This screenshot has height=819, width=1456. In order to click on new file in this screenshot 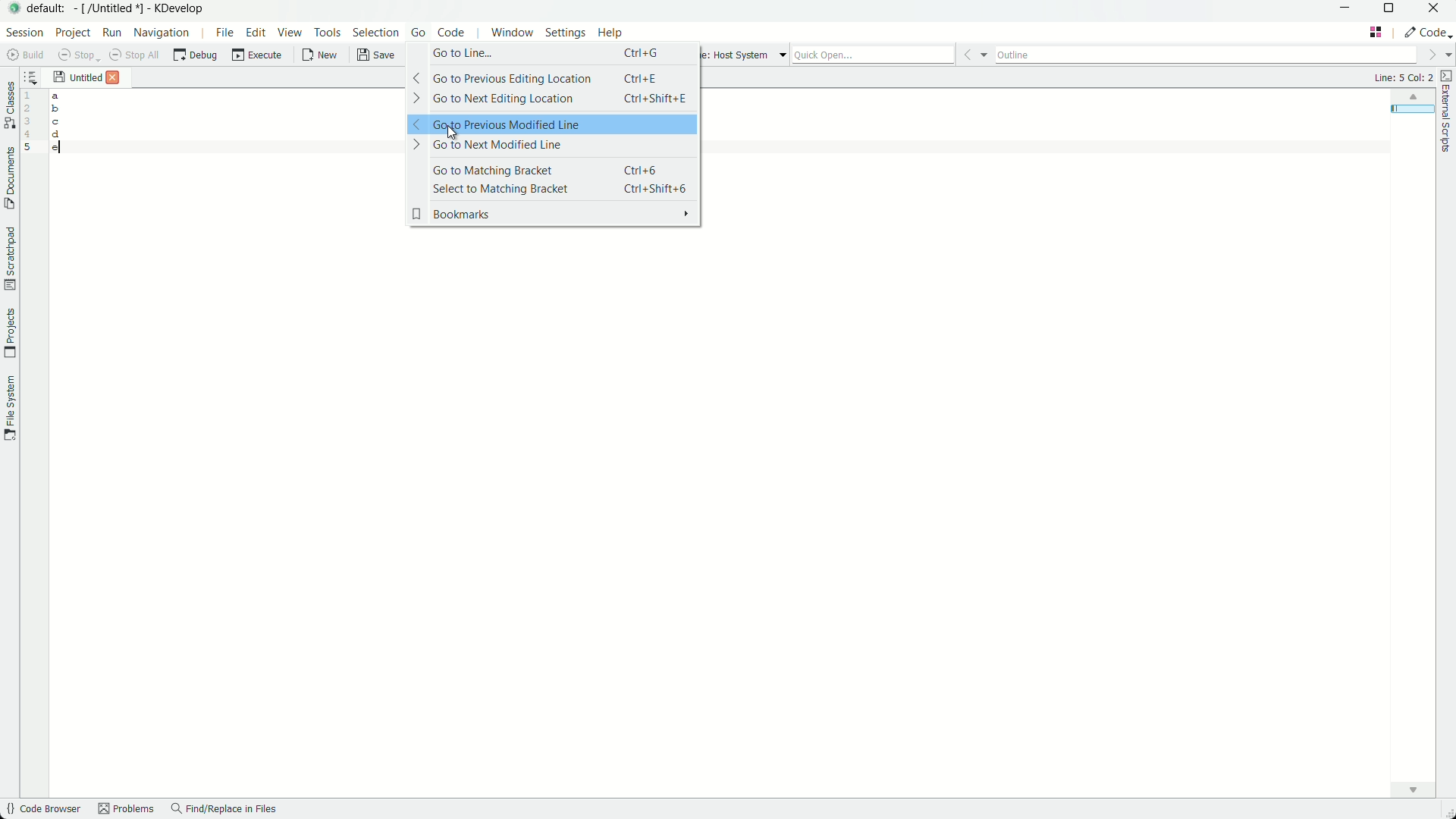, I will do `click(317, 58)`.